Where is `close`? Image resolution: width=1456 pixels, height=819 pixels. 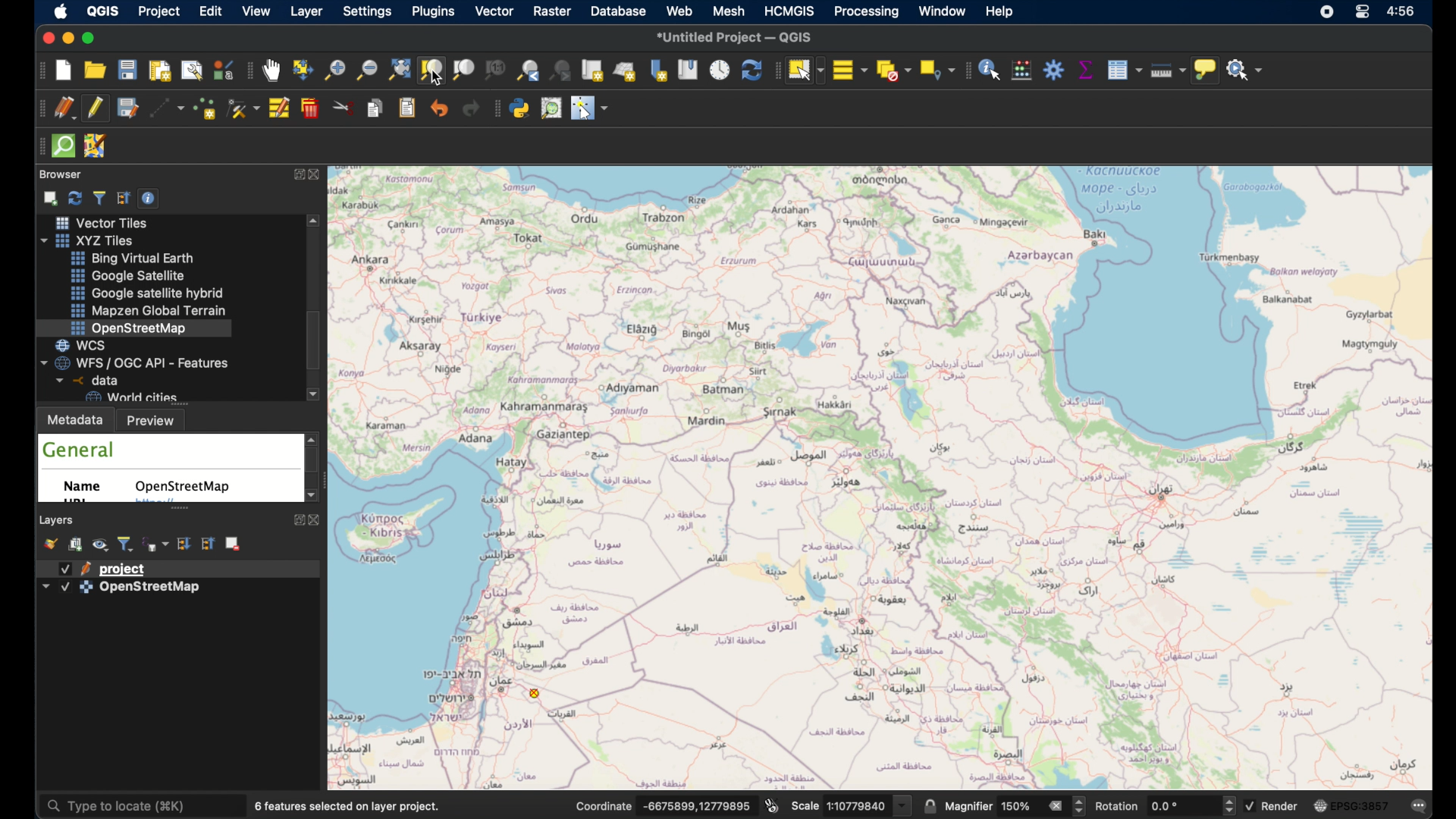
close is located at coordinates (315, 520).